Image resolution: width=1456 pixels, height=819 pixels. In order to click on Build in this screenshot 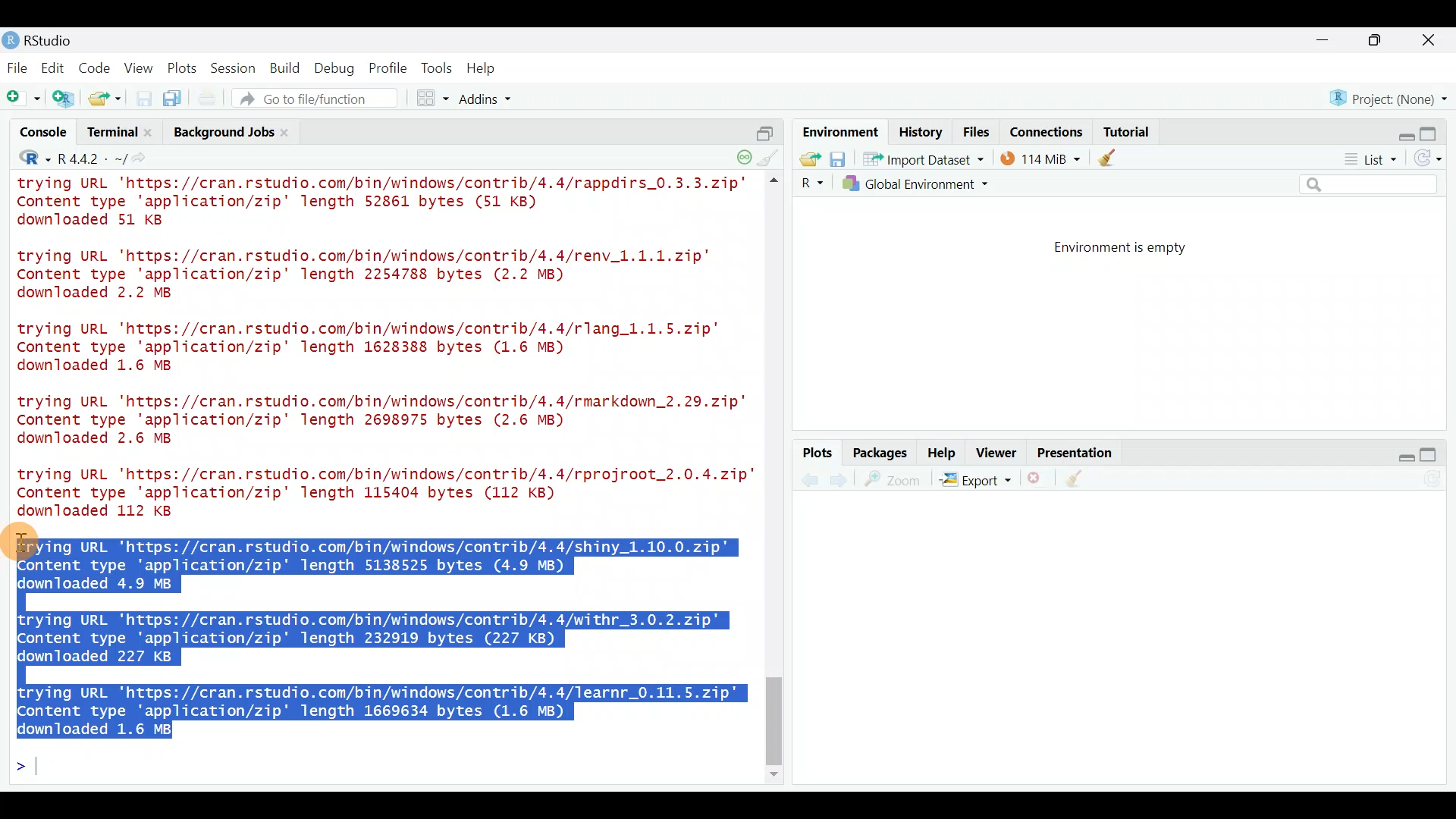, I will do `click(286, 67)`.